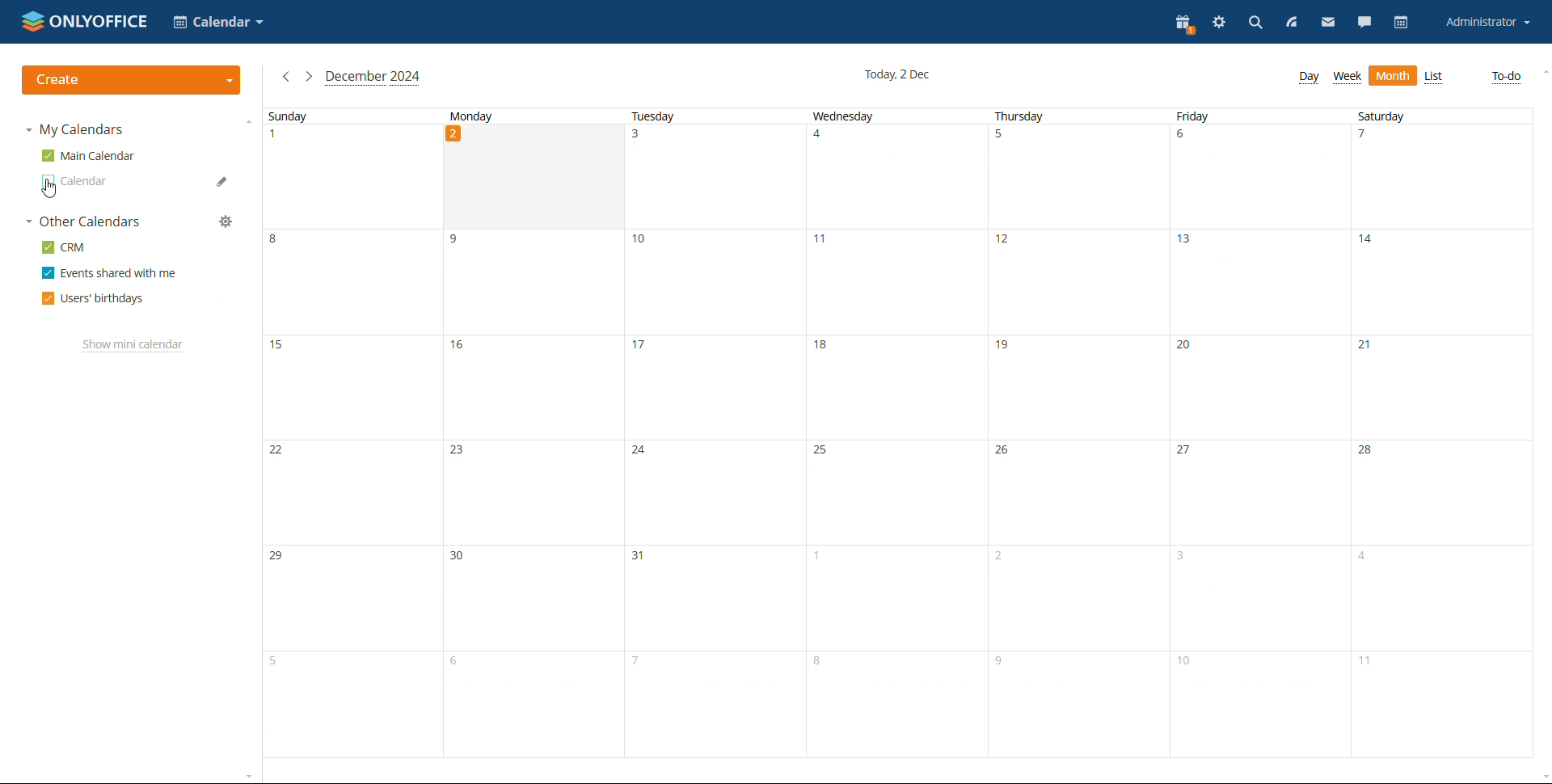 The height and width of the screenshot is (784, 1552). What do you see at coordinates (1364, 23) in the screenshot?
I see `chat` at bounding box center [1364, 23].